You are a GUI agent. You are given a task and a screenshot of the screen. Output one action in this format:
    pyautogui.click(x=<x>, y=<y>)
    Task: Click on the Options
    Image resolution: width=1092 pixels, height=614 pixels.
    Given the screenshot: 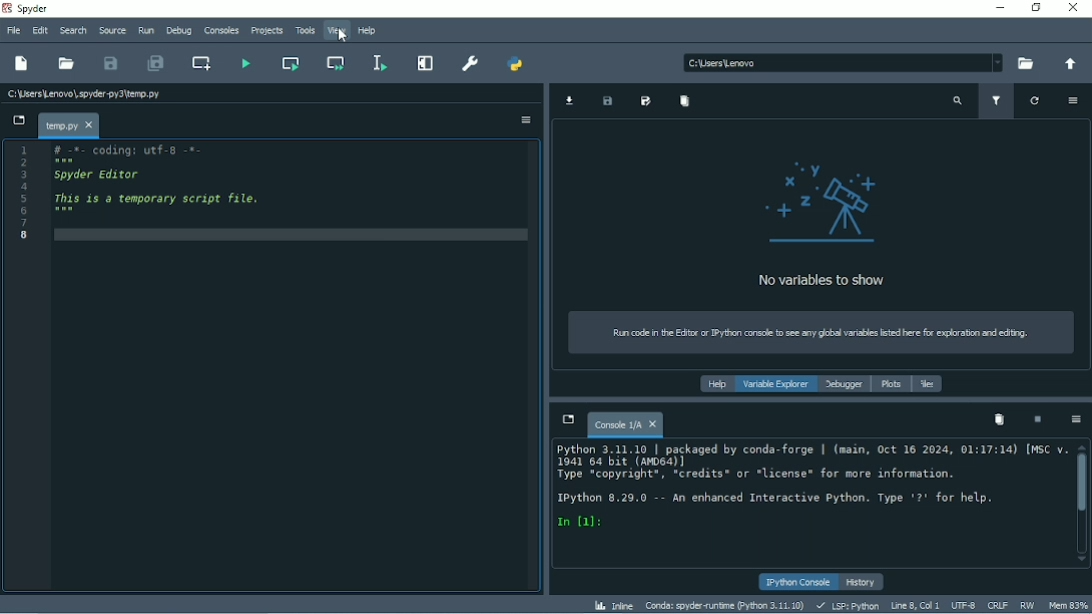 What is the action you would take?
    pyautogui.click(x=526, y=120)
    